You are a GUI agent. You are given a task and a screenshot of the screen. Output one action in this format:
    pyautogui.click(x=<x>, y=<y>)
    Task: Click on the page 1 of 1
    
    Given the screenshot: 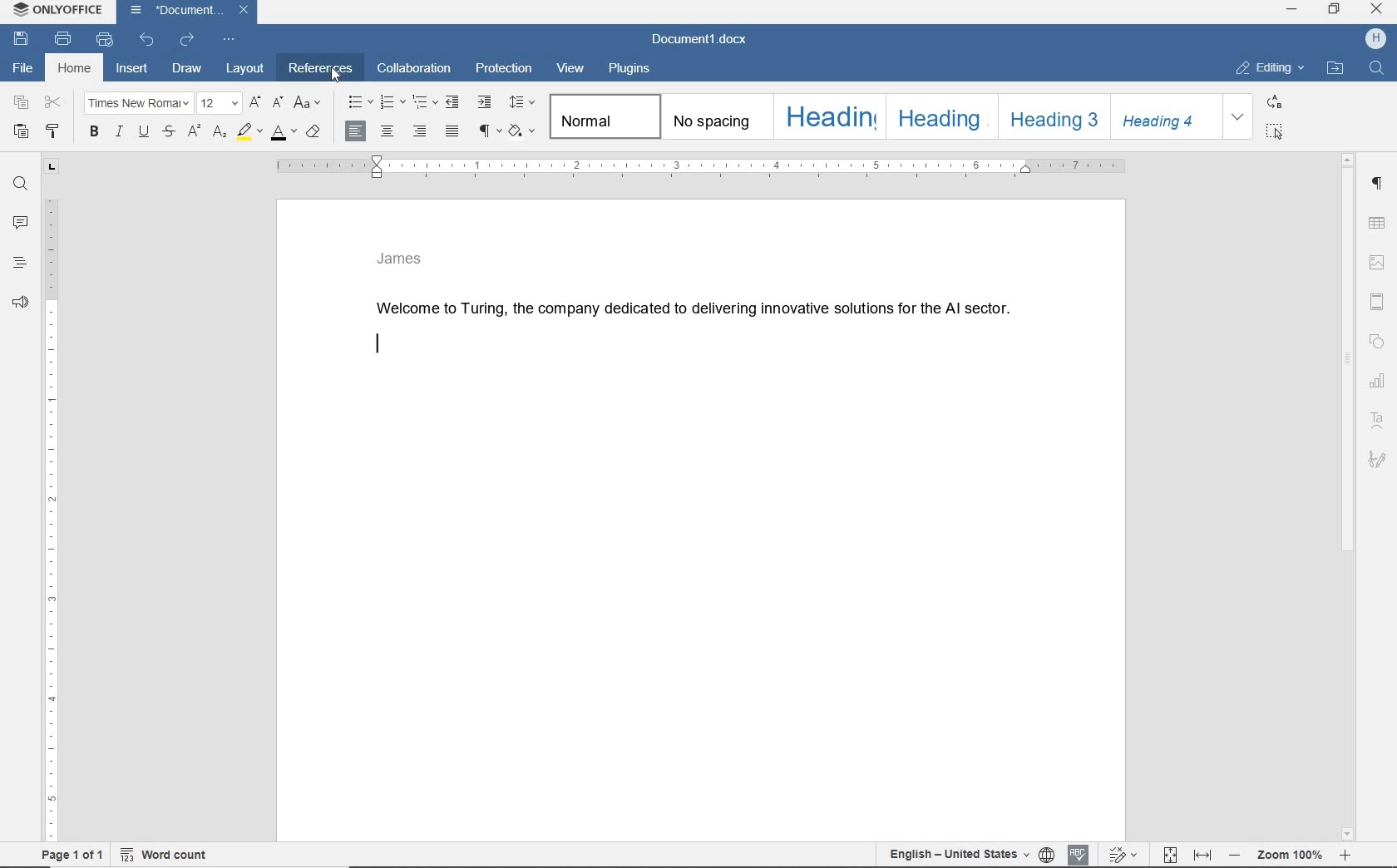 What is the action you would take?
    pyautogui.click(x=70, y=856)
    